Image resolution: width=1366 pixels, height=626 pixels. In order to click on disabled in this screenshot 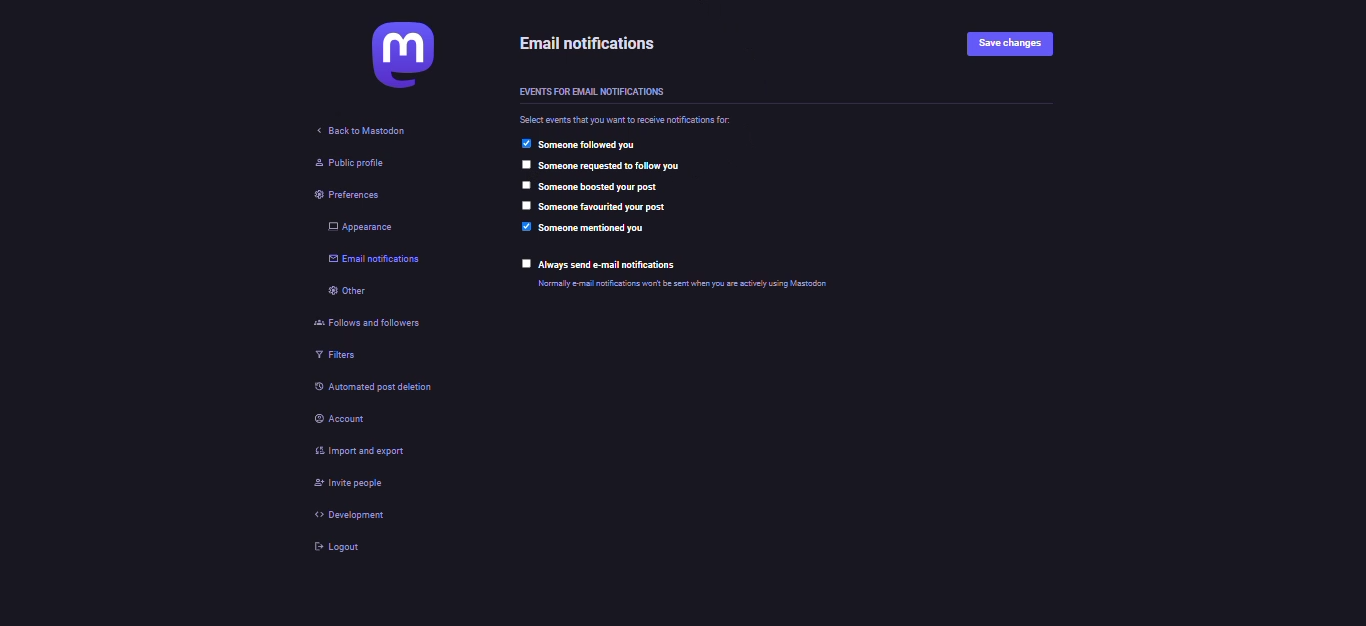, I will do `click(522, 165)`.